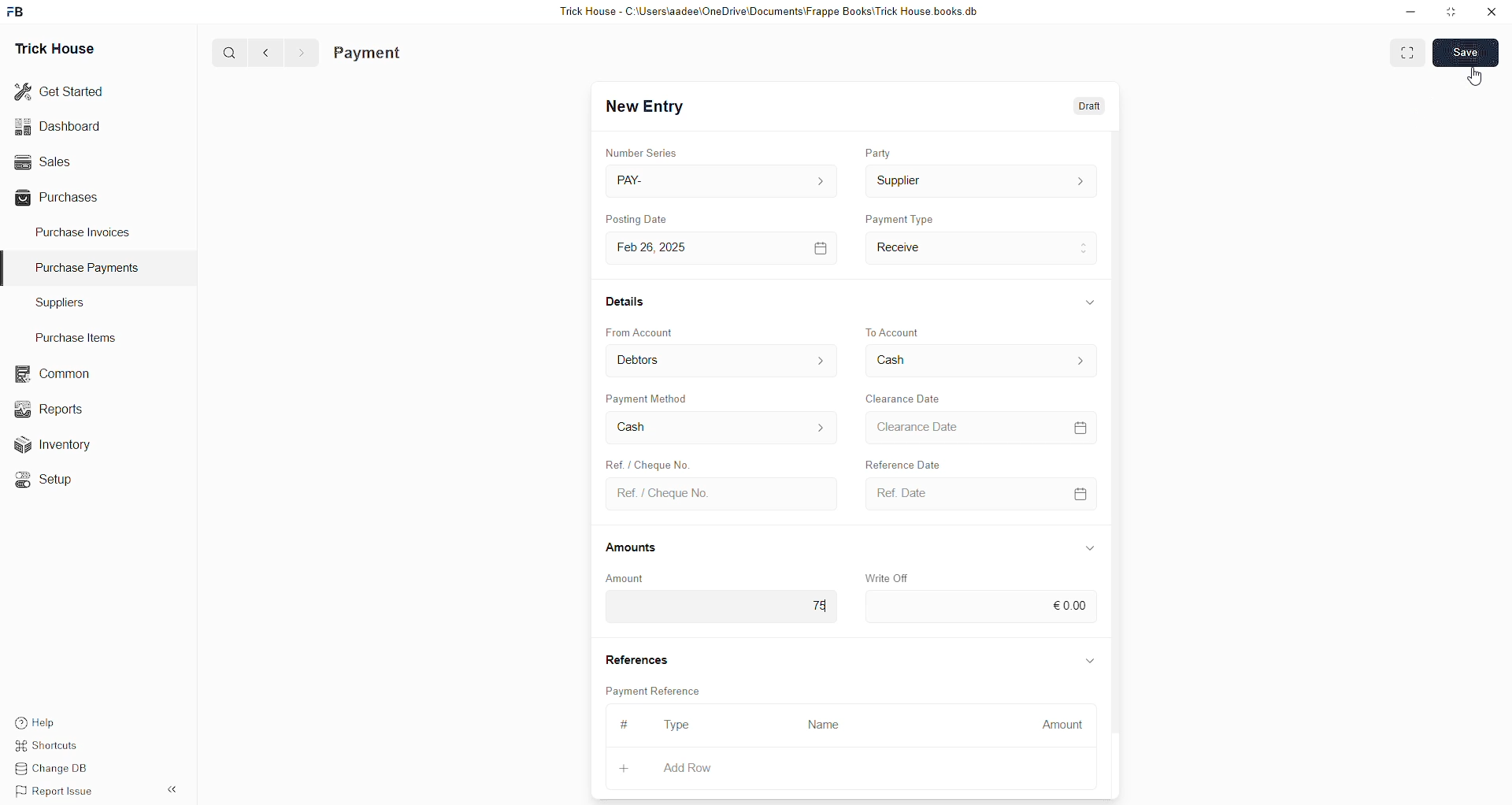 This screenshot has width=1512, height=805. I want to click on Number Series, so click(641, 150).